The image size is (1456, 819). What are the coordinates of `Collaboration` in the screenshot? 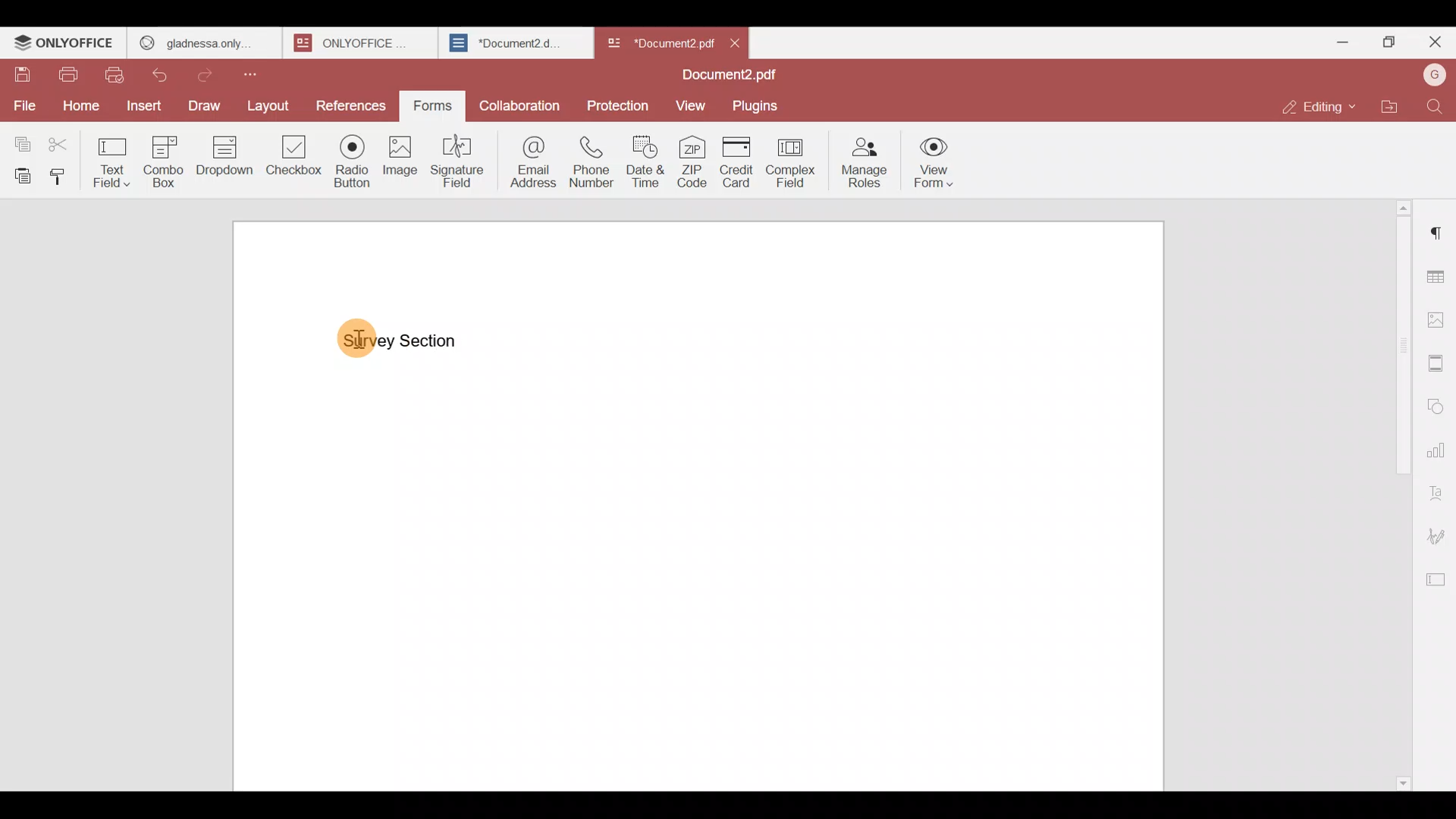 It's located at (522, 108).